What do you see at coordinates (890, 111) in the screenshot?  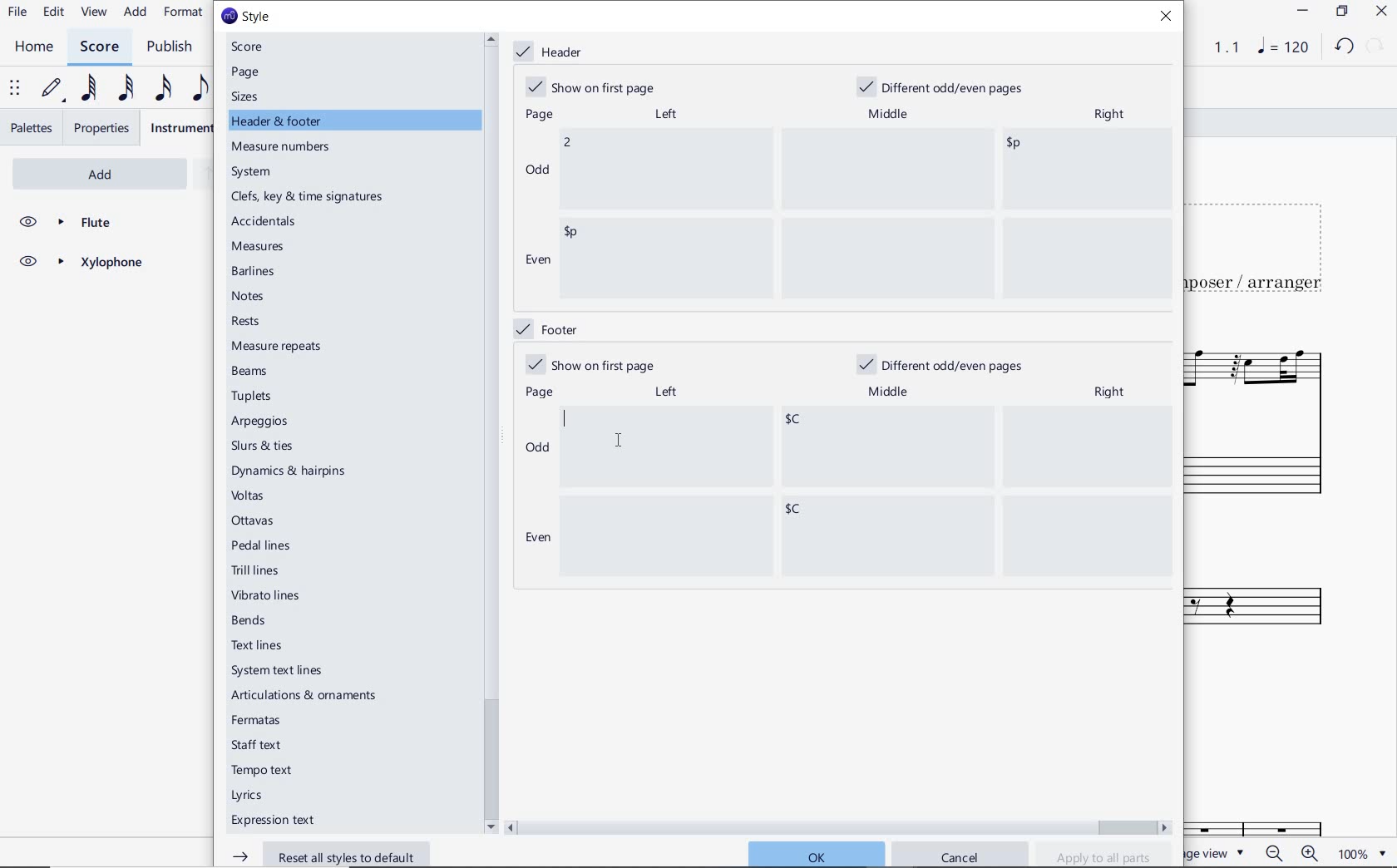 I see `middle` at bounding box center [890, 111].